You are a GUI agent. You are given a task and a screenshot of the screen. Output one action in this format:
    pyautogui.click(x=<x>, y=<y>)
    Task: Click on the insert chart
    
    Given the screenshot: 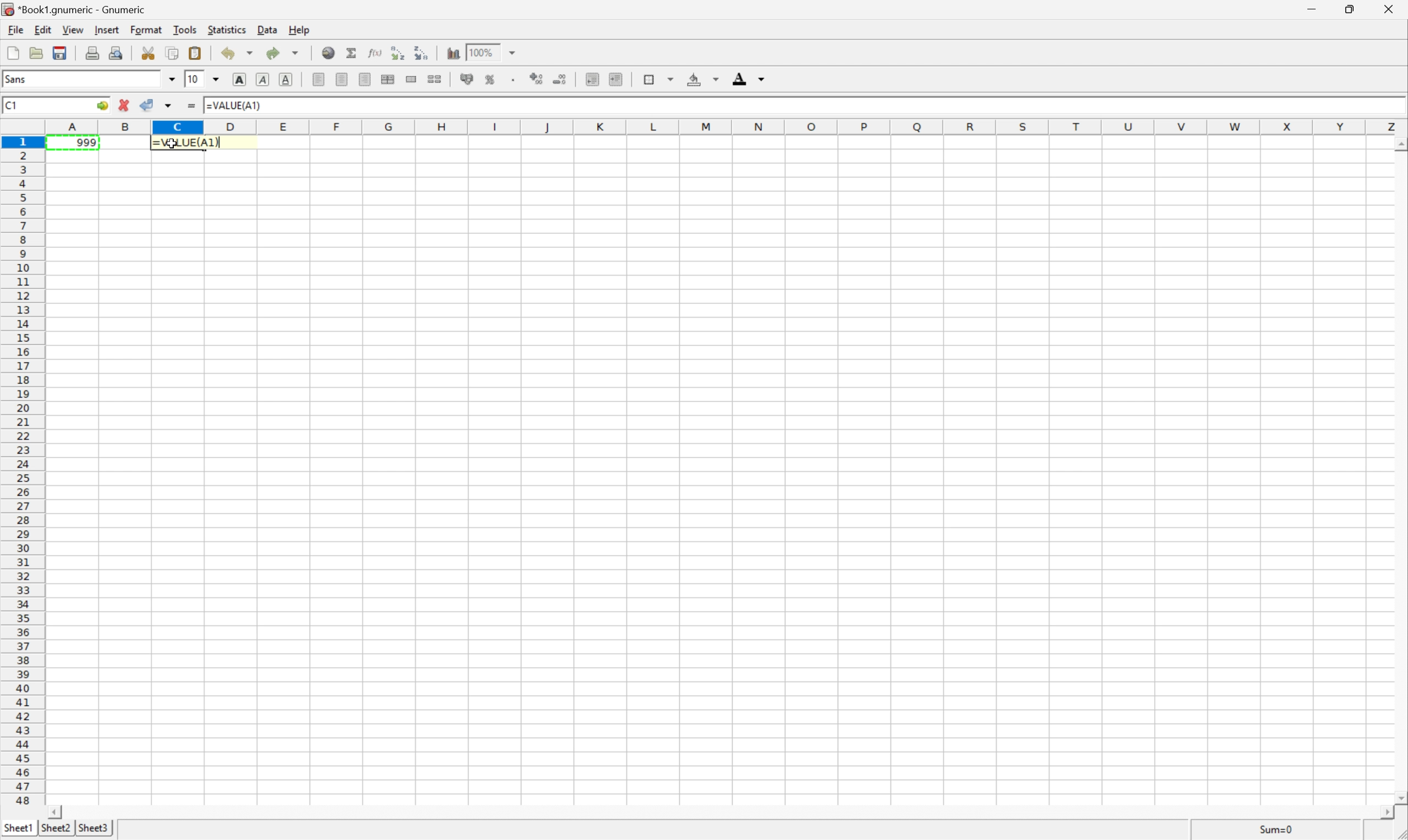 What is the action you would take?
    pyautogui.click(x=452, y=53)
    